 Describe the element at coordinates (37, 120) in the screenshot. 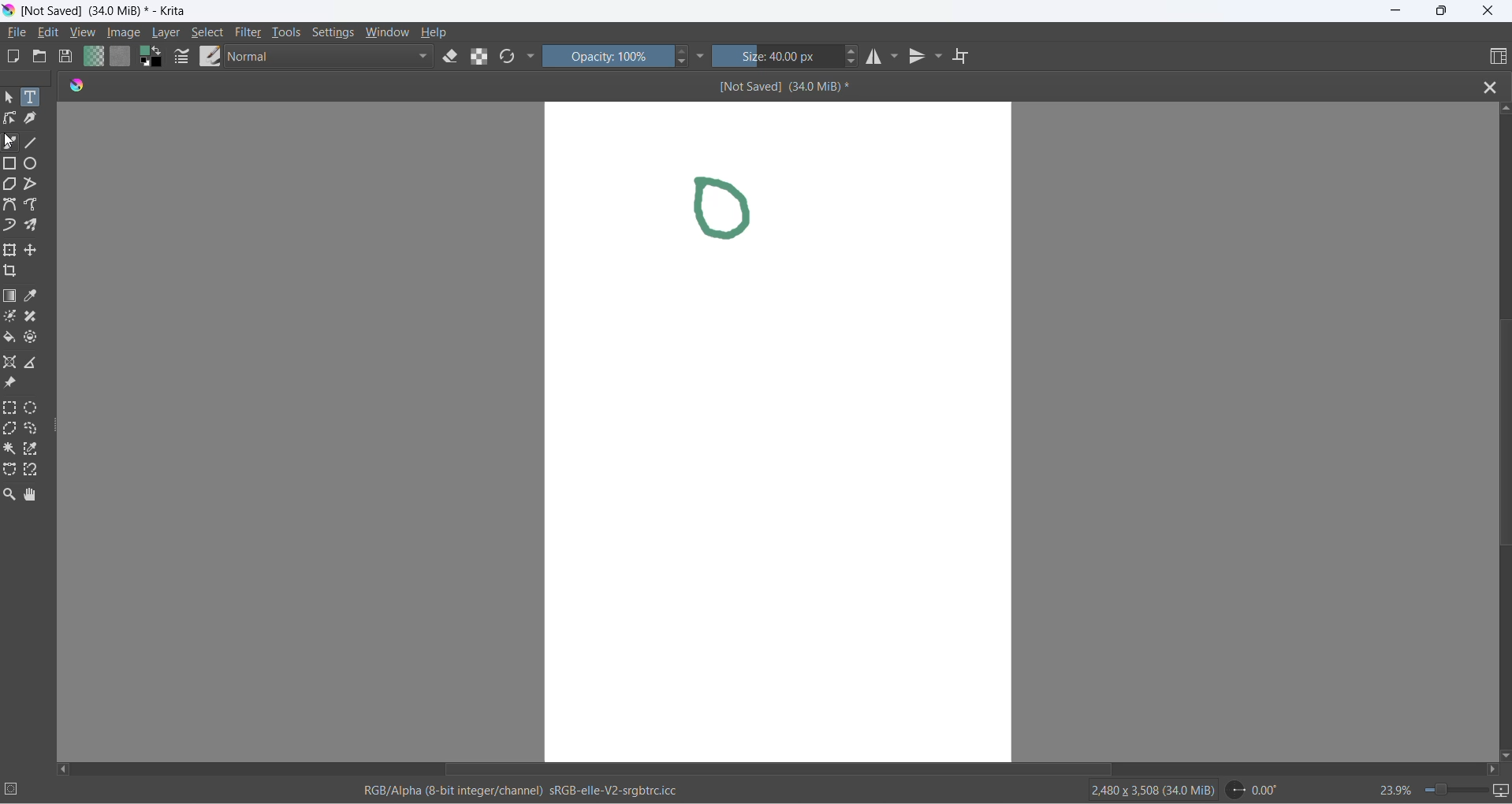

I see `calligraphy` at that location.